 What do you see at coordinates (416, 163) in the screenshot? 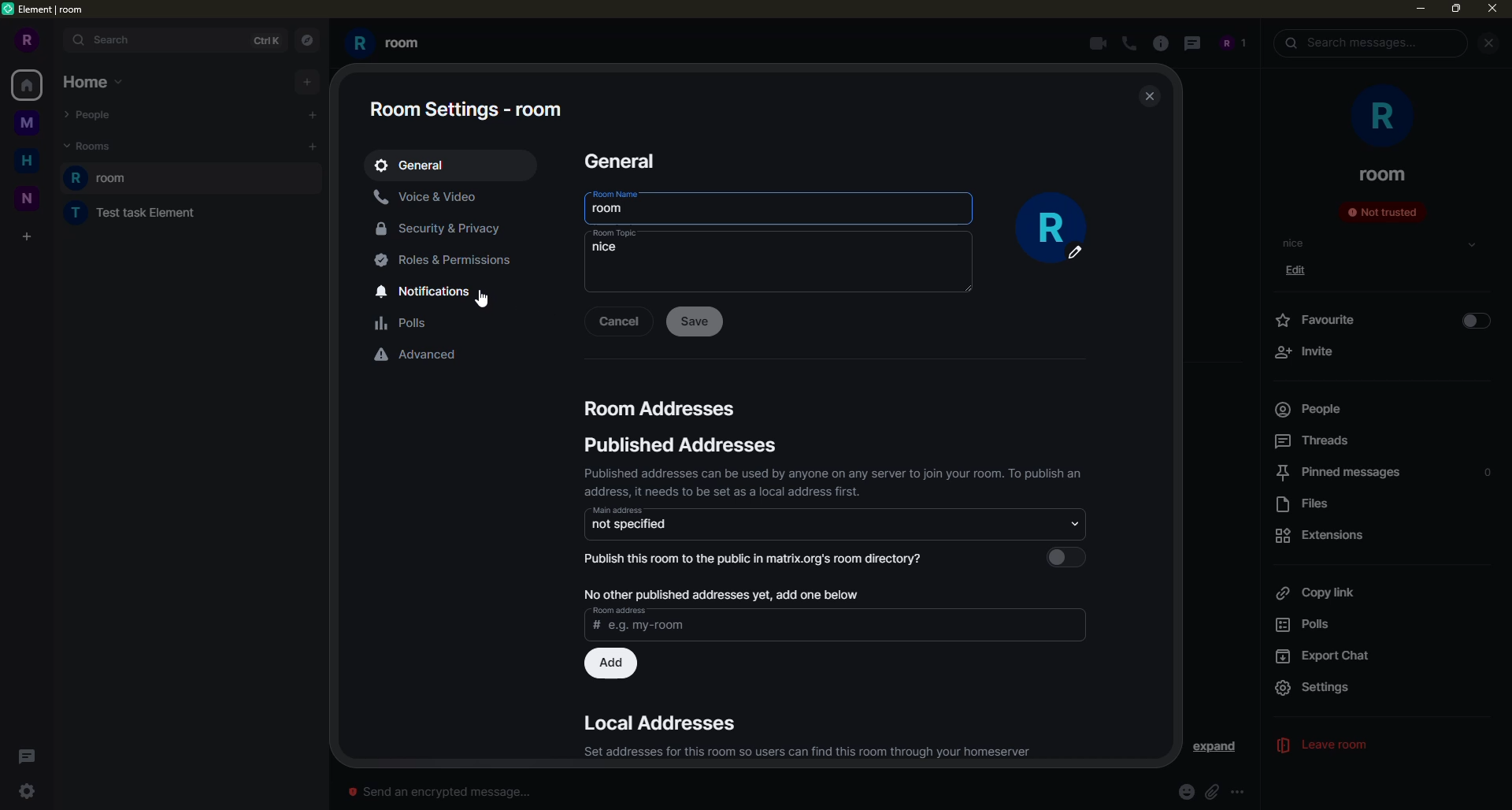
I see `general` at bounding box center [416, 163].